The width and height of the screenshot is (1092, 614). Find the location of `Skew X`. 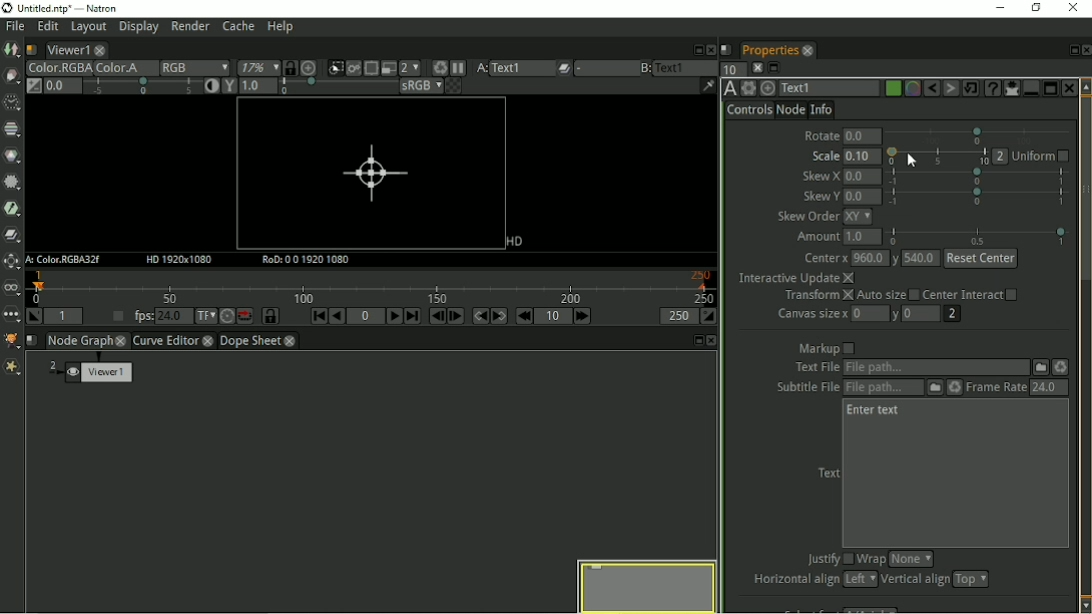

Skew X is located at coordinates (937, 176).